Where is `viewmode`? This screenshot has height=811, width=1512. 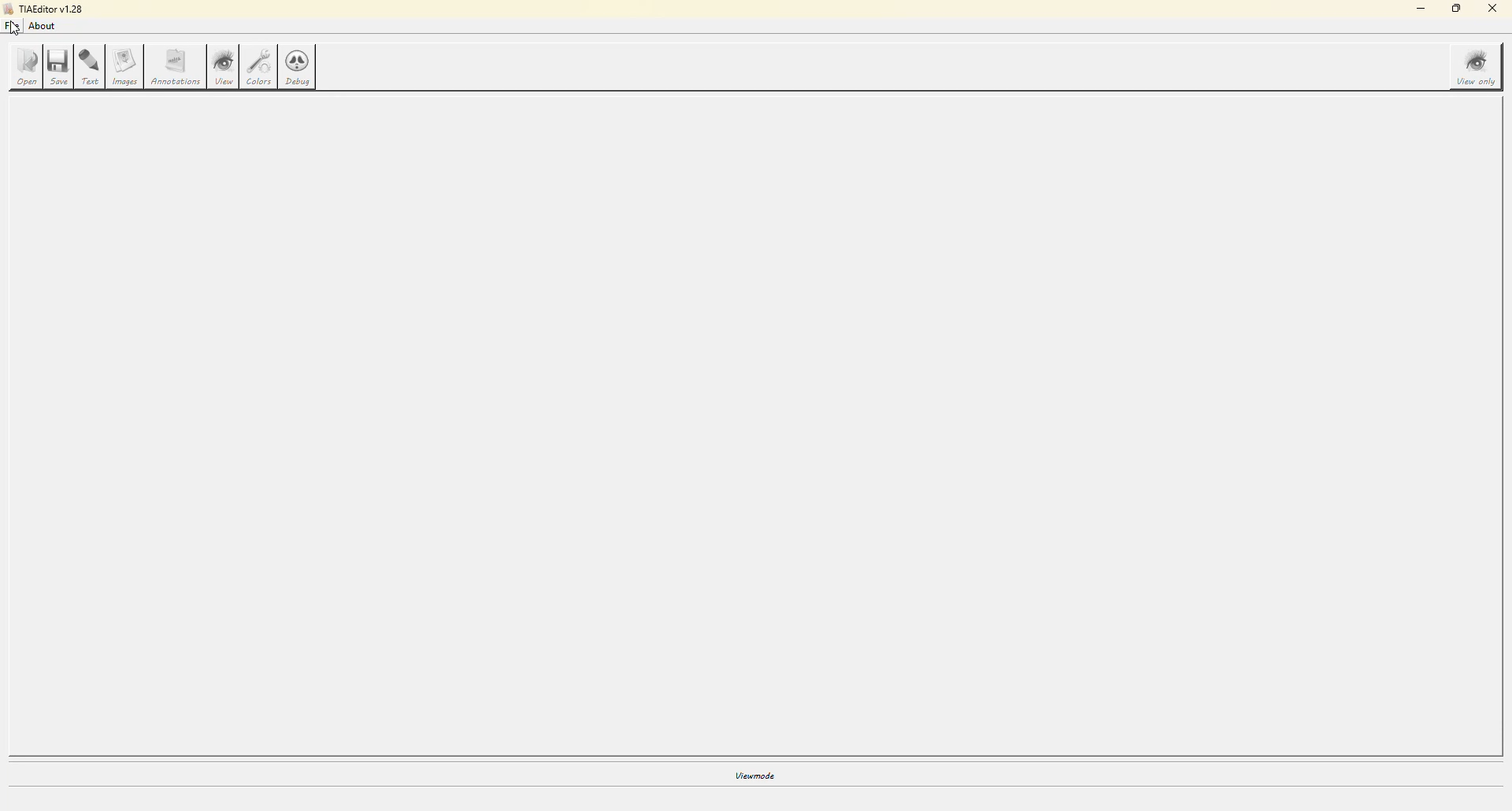
viewmode is located at coordinates (752, 780).